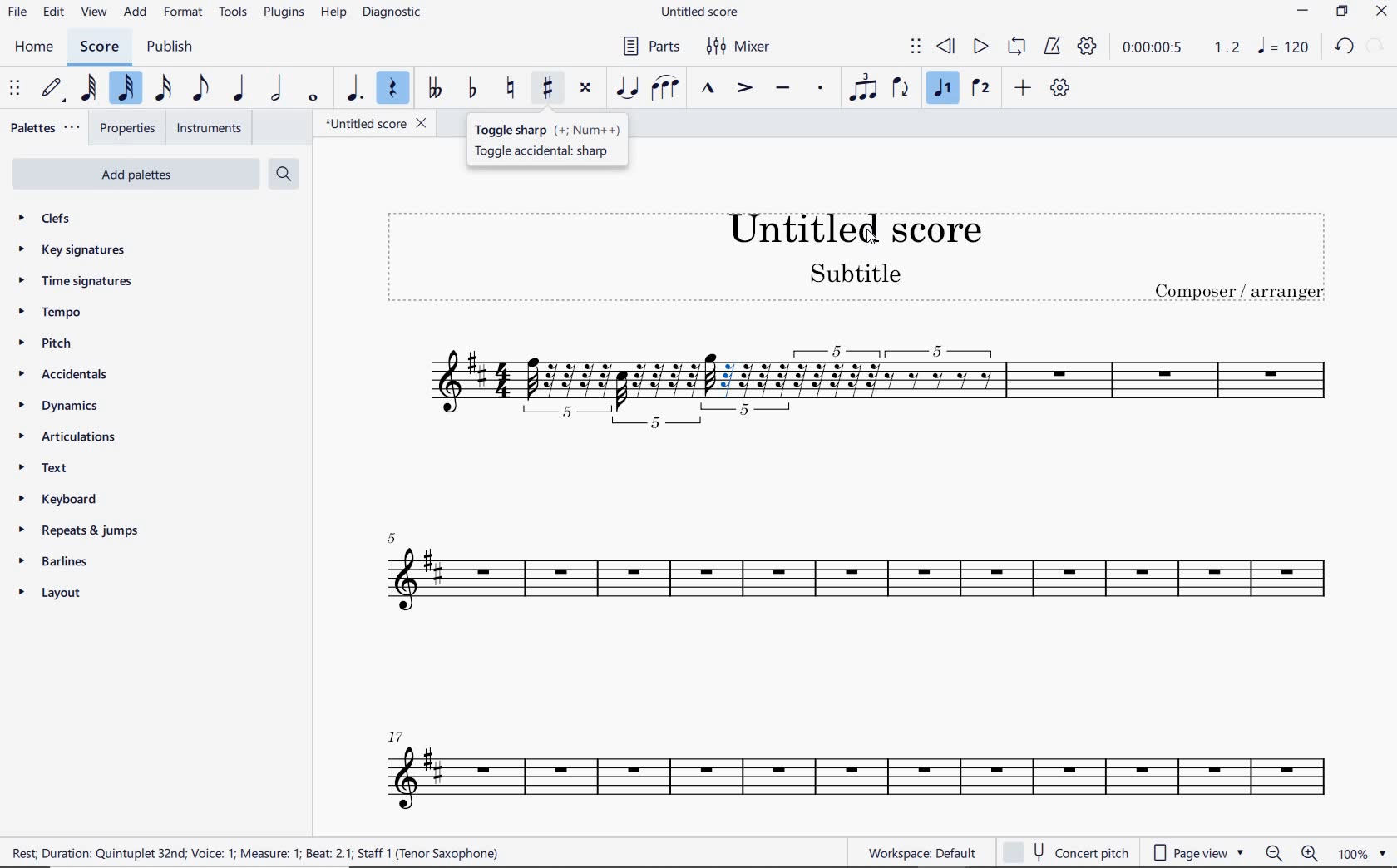 This screenshot has height=868, width=1397. Describe the element at coordinates (1360, 852) in the screenshot. I see `zoom factor` at that location.